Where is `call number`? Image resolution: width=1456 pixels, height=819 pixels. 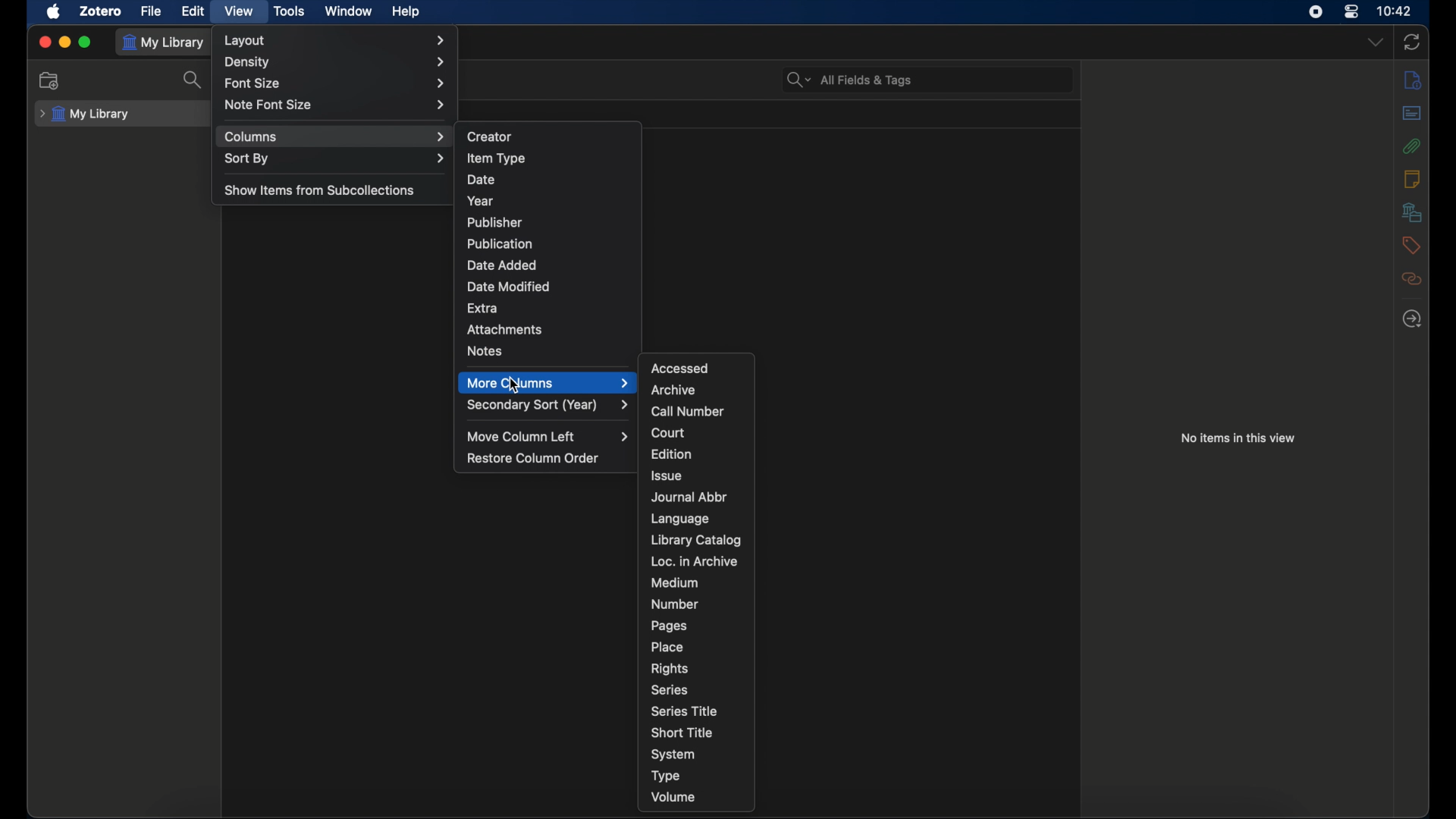
call number is located at coordinates (689, 412).